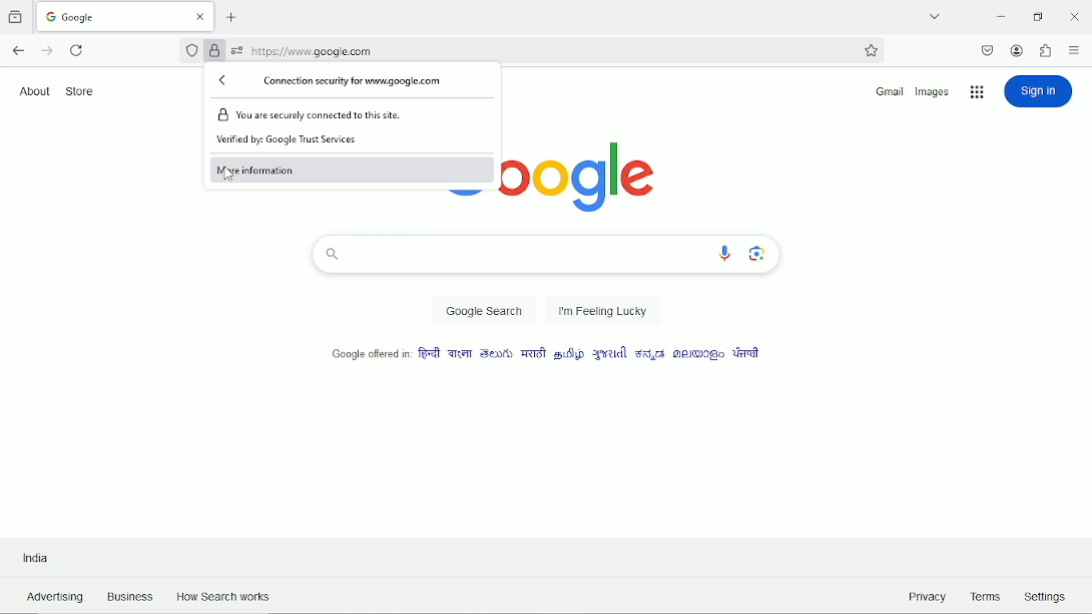 The width and height of the screenshot is (1092, 614). What do you see at coordinates (18, 15) in the screenshot?
I see `View recent browsing` at bounding box center [18, 15].